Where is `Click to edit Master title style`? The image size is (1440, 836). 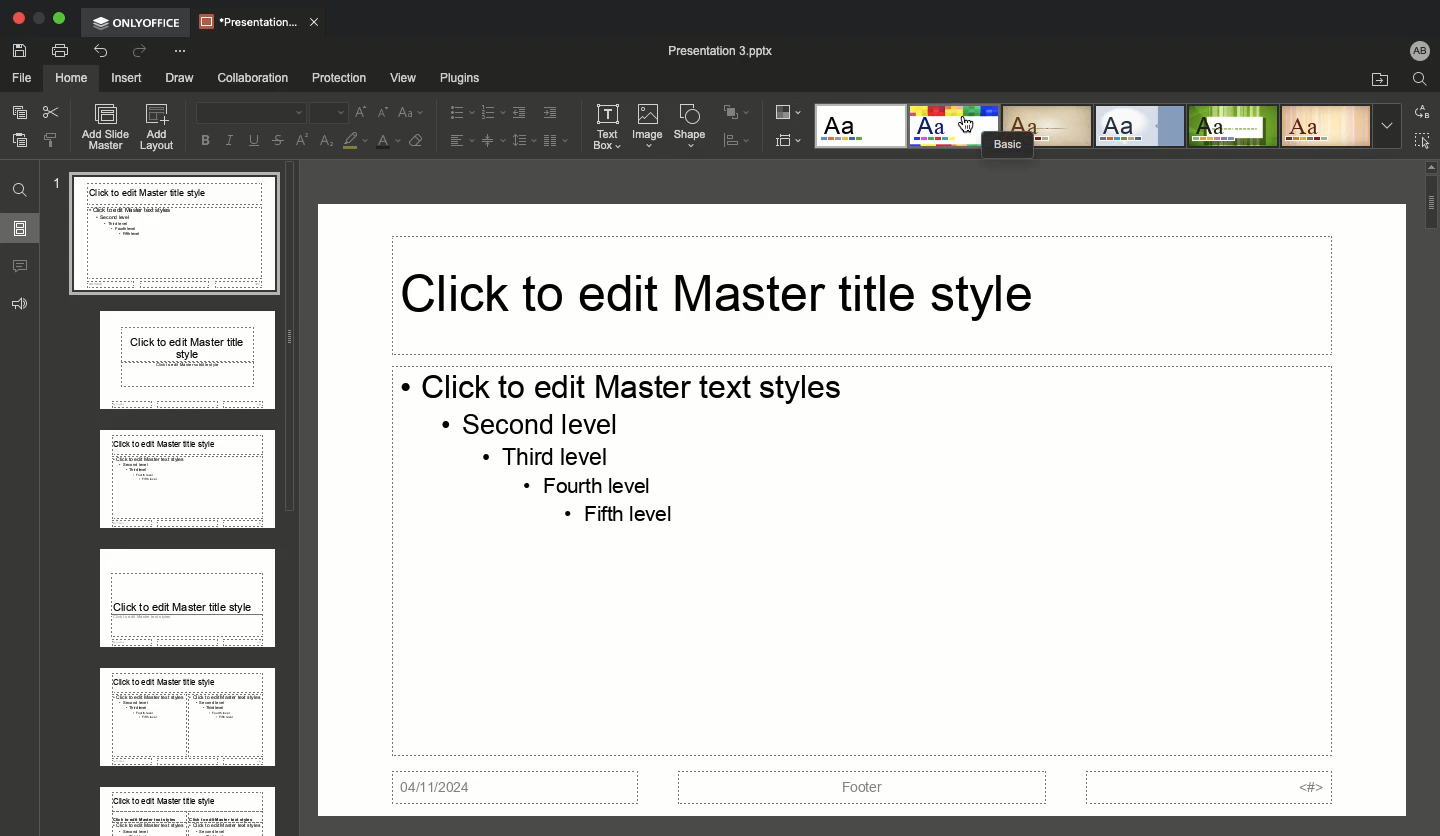
Click to edit Master title style is located at coordinates (715, 293).